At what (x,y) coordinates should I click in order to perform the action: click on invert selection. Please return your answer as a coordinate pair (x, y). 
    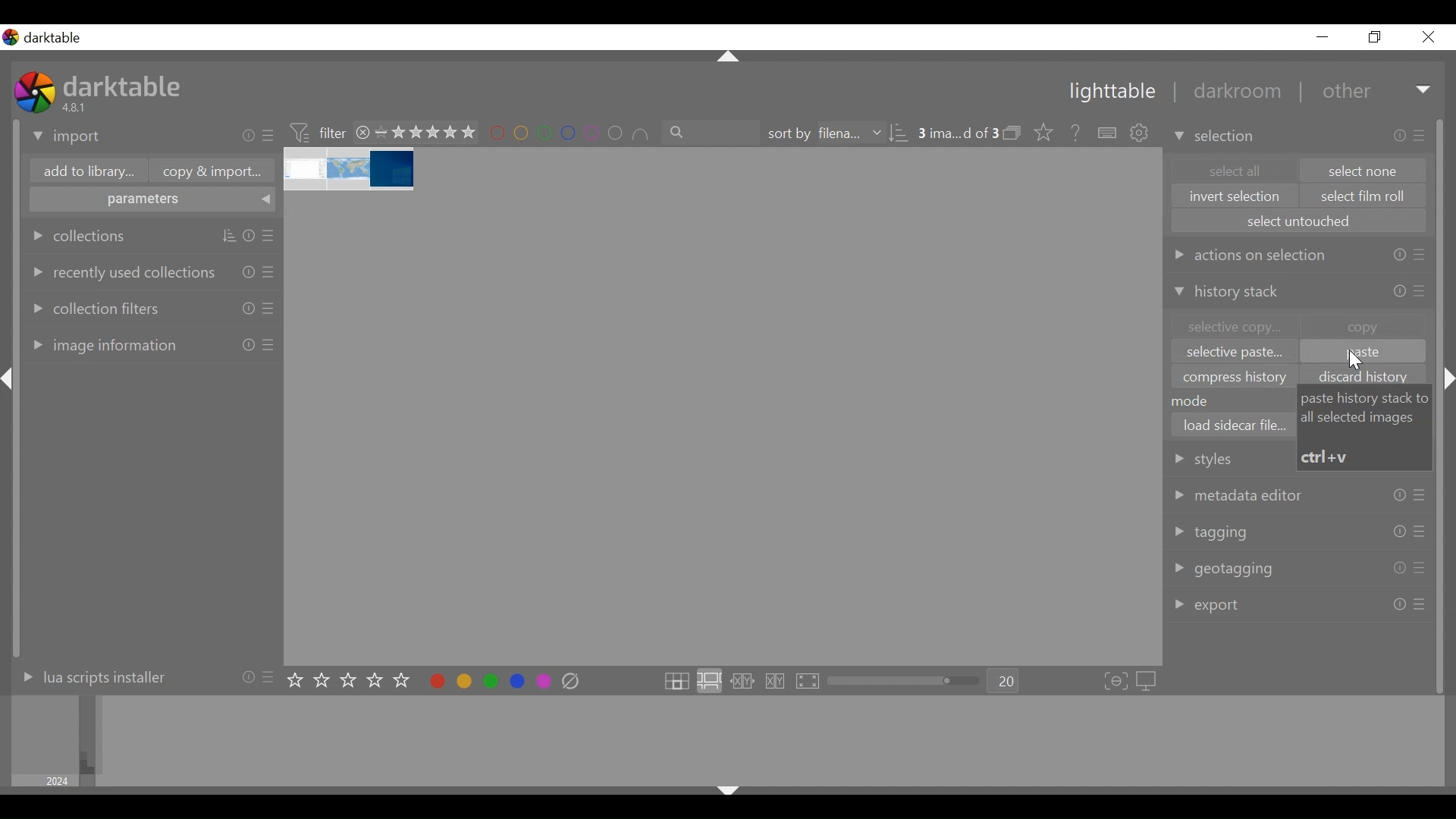
    Looking at the image, I should click on (1235, 196).